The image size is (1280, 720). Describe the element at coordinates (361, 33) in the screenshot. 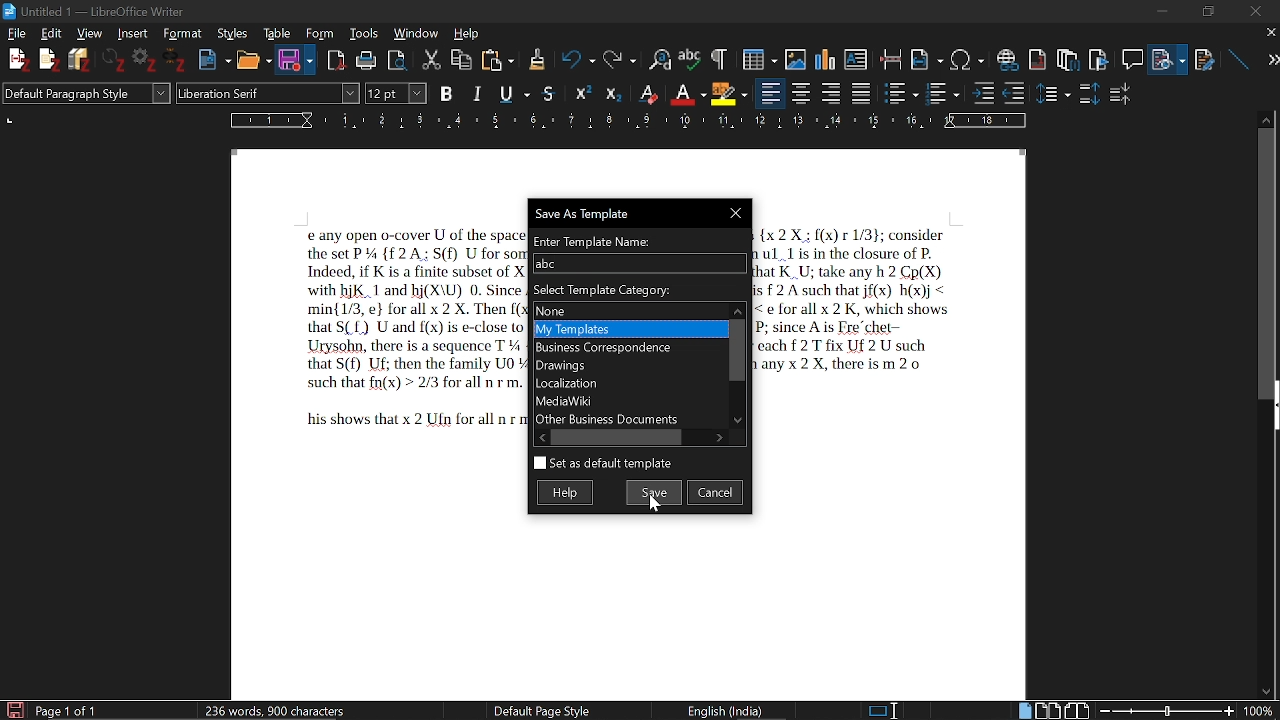

I see `Tools` at that location.